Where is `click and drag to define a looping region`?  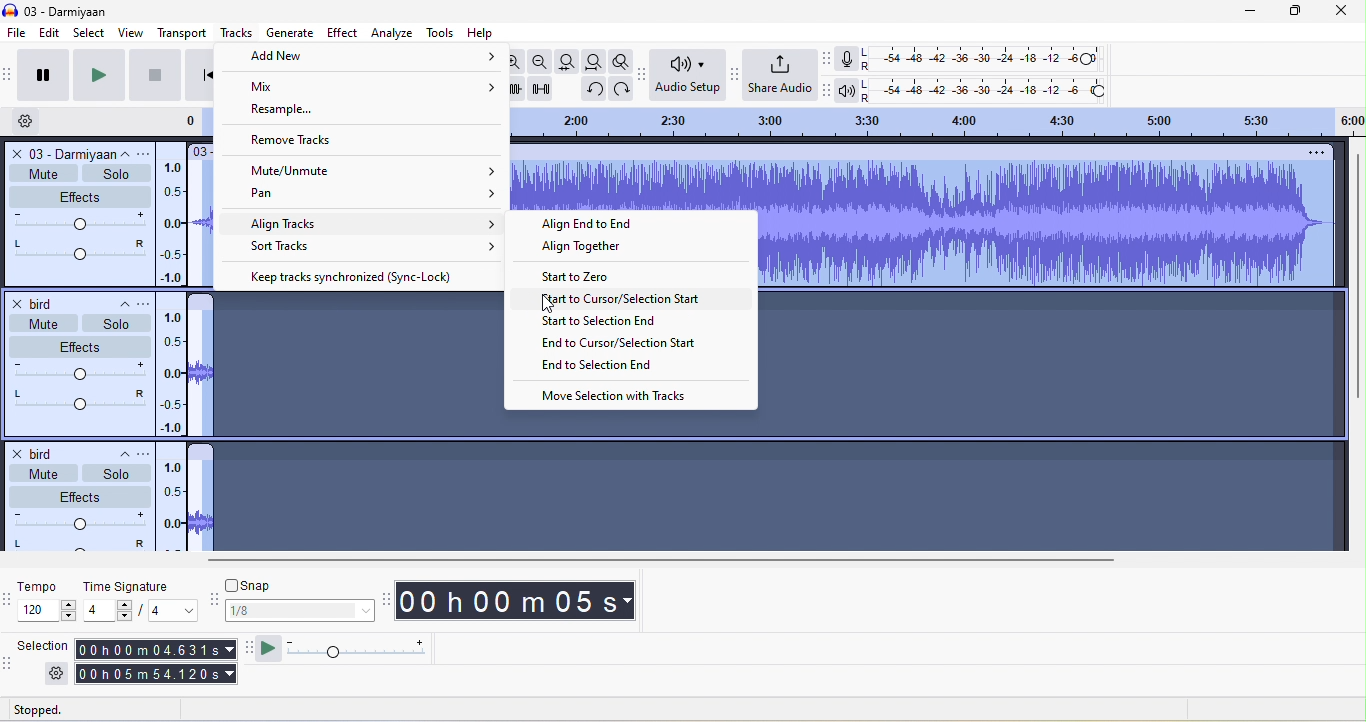
click and drag to define a looping region is located at coordinates (937, 121).